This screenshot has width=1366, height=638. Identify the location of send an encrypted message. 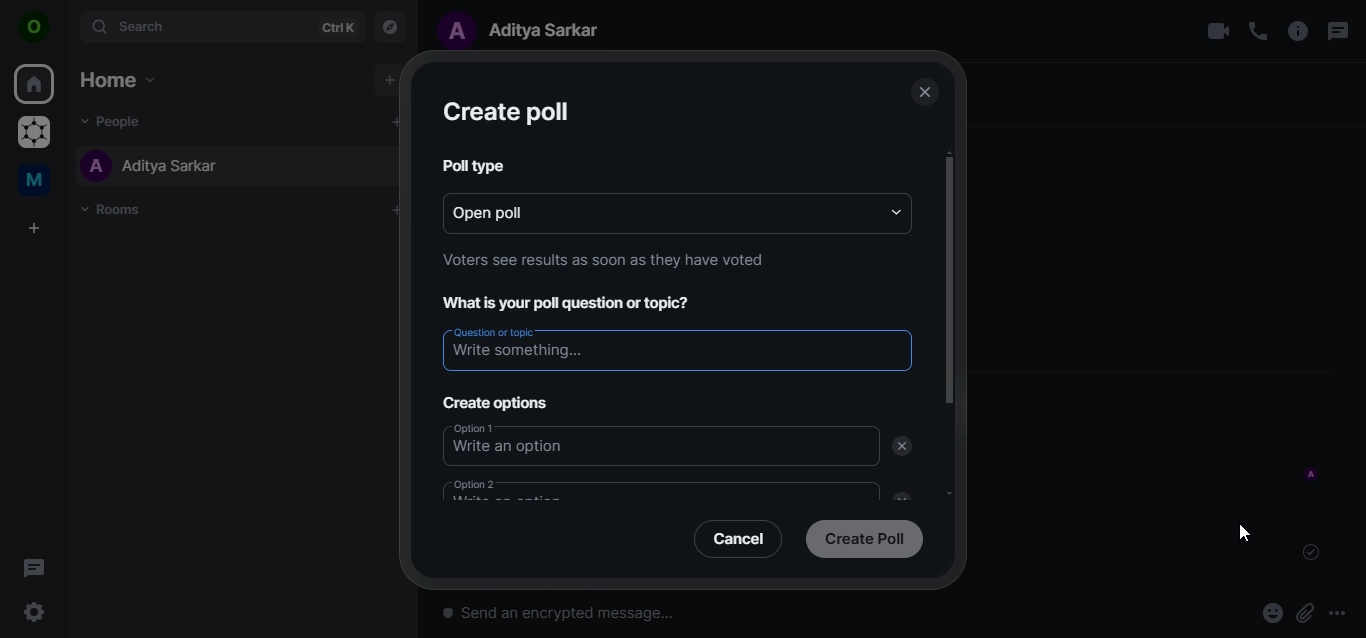
(669, 619).